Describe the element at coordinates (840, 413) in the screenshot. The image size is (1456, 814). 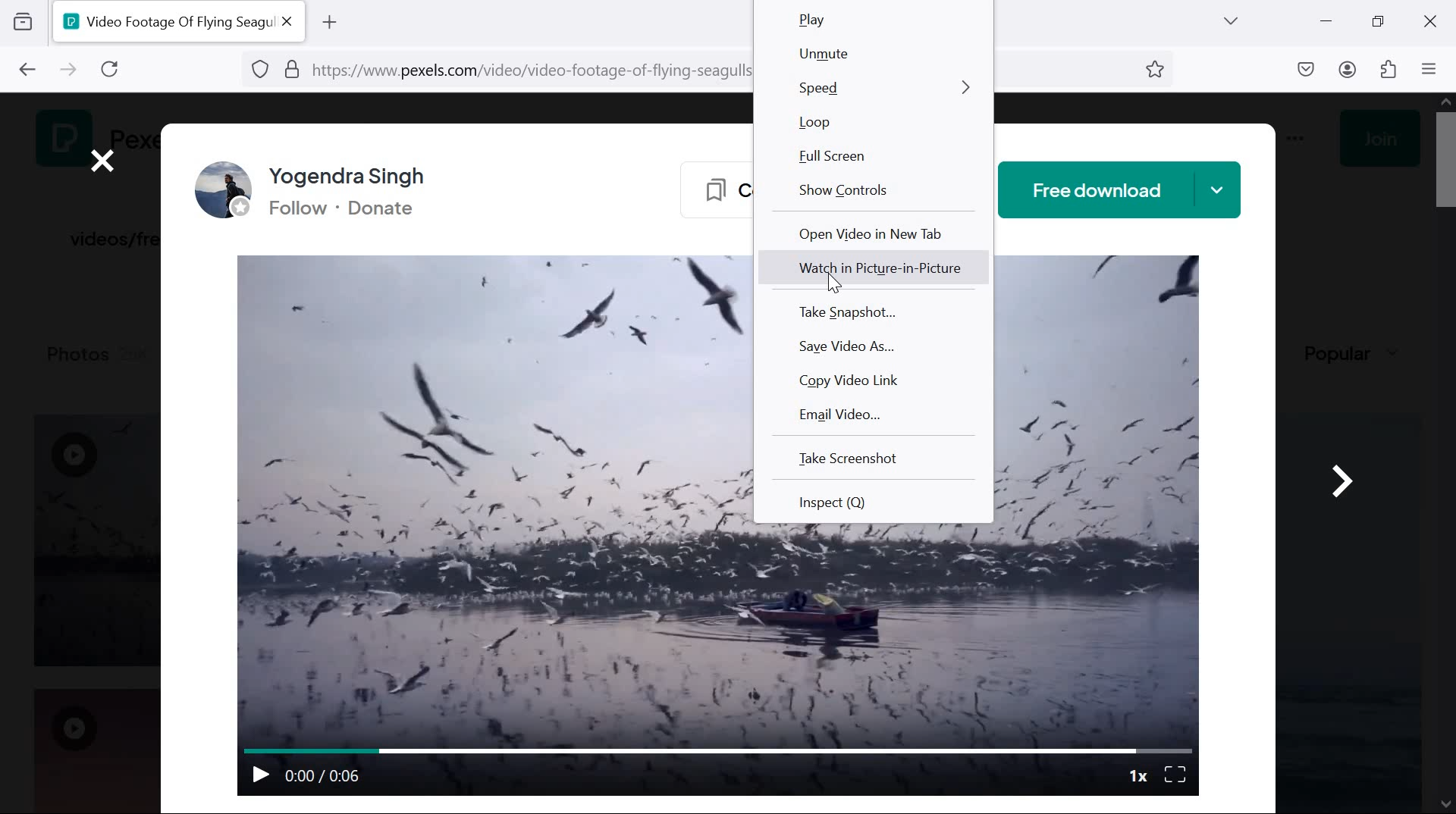
I see `email video` at that location.